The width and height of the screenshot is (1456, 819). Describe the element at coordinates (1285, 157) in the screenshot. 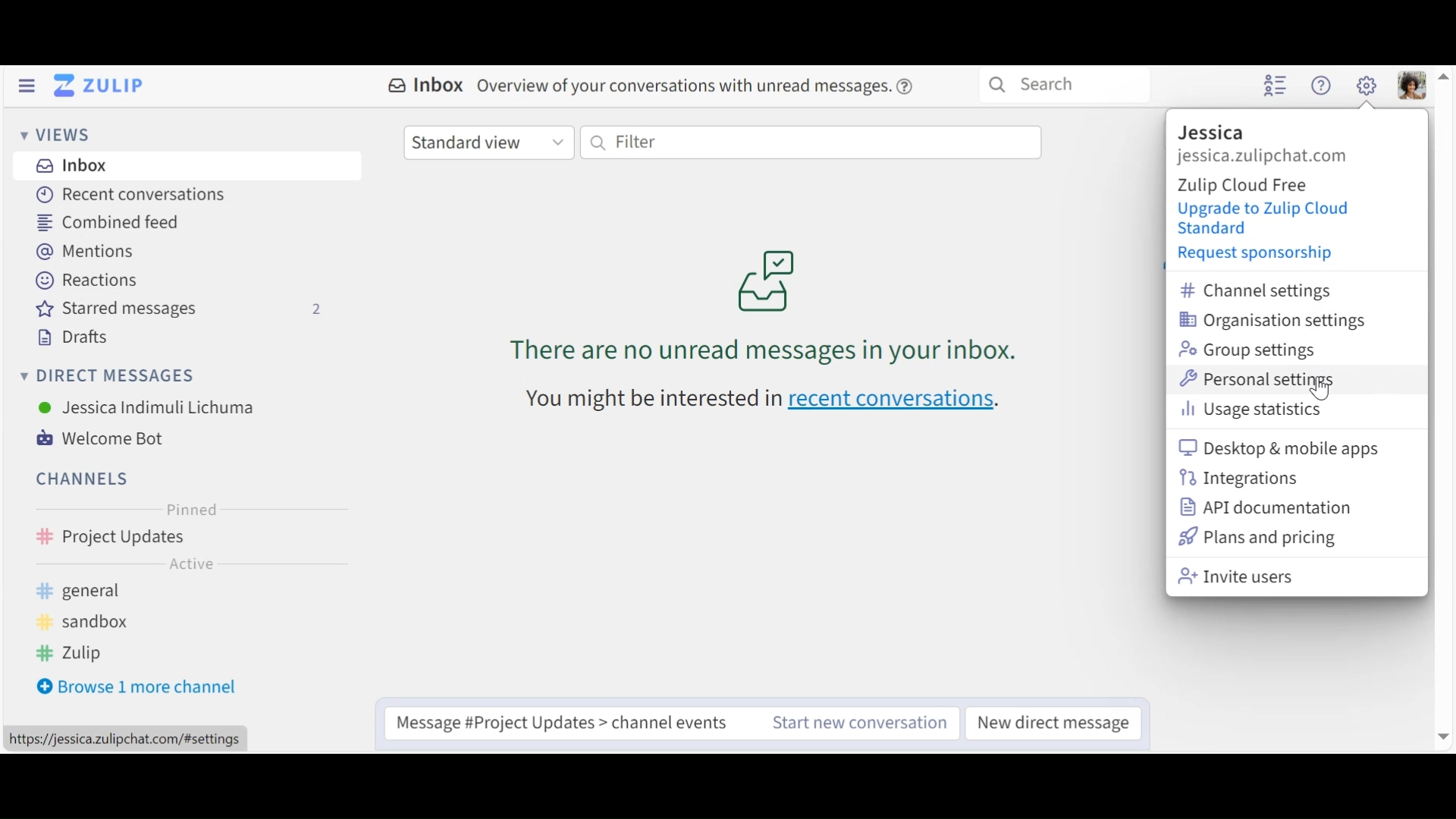

I see `Organisation url` at that location.